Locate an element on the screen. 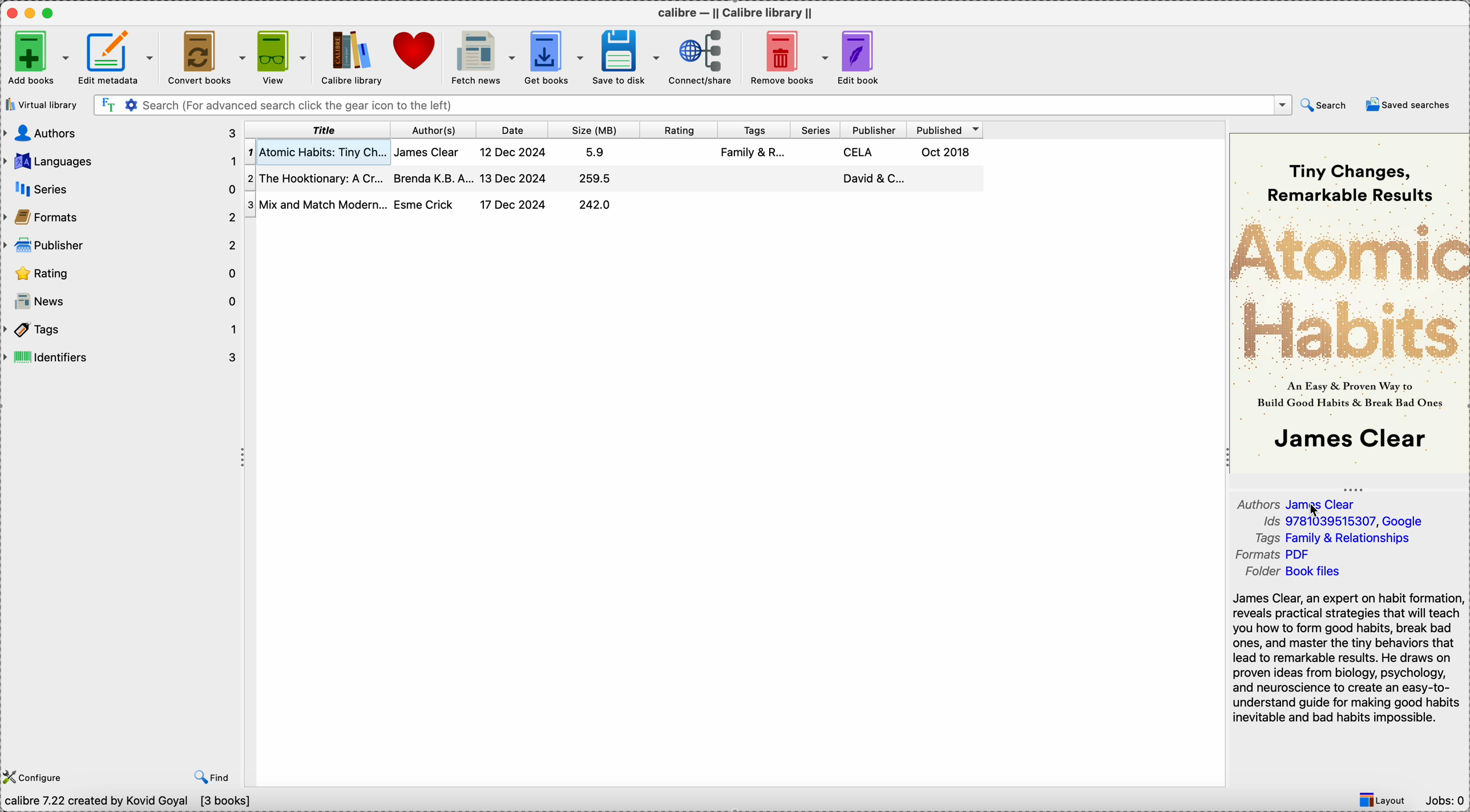  series is located at coordinates (120, 188).